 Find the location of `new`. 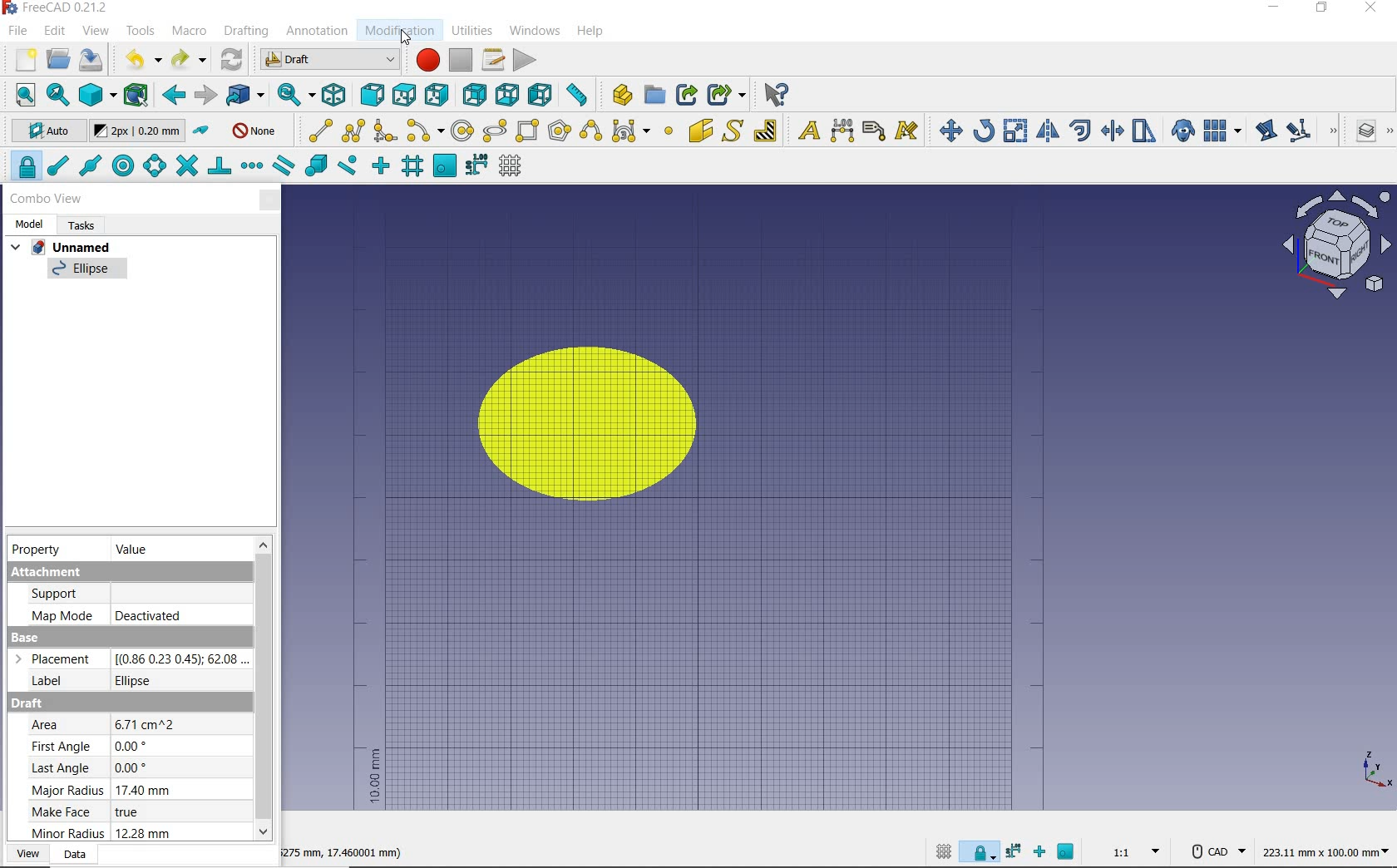

new is located at coordinates (19, 61).